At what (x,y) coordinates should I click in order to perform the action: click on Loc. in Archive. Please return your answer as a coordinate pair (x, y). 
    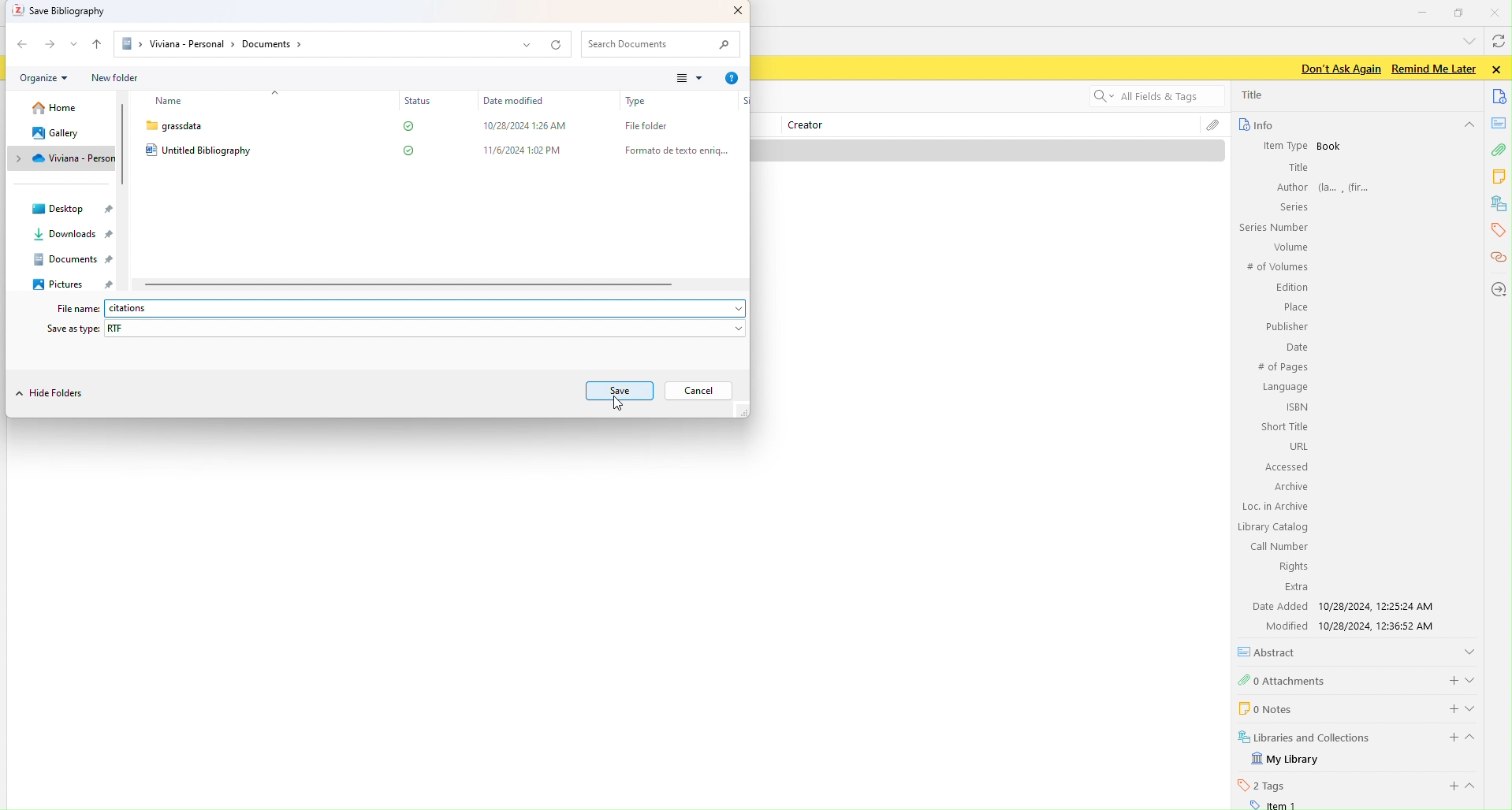
    Looking at the image, I should click on (1276, 507).